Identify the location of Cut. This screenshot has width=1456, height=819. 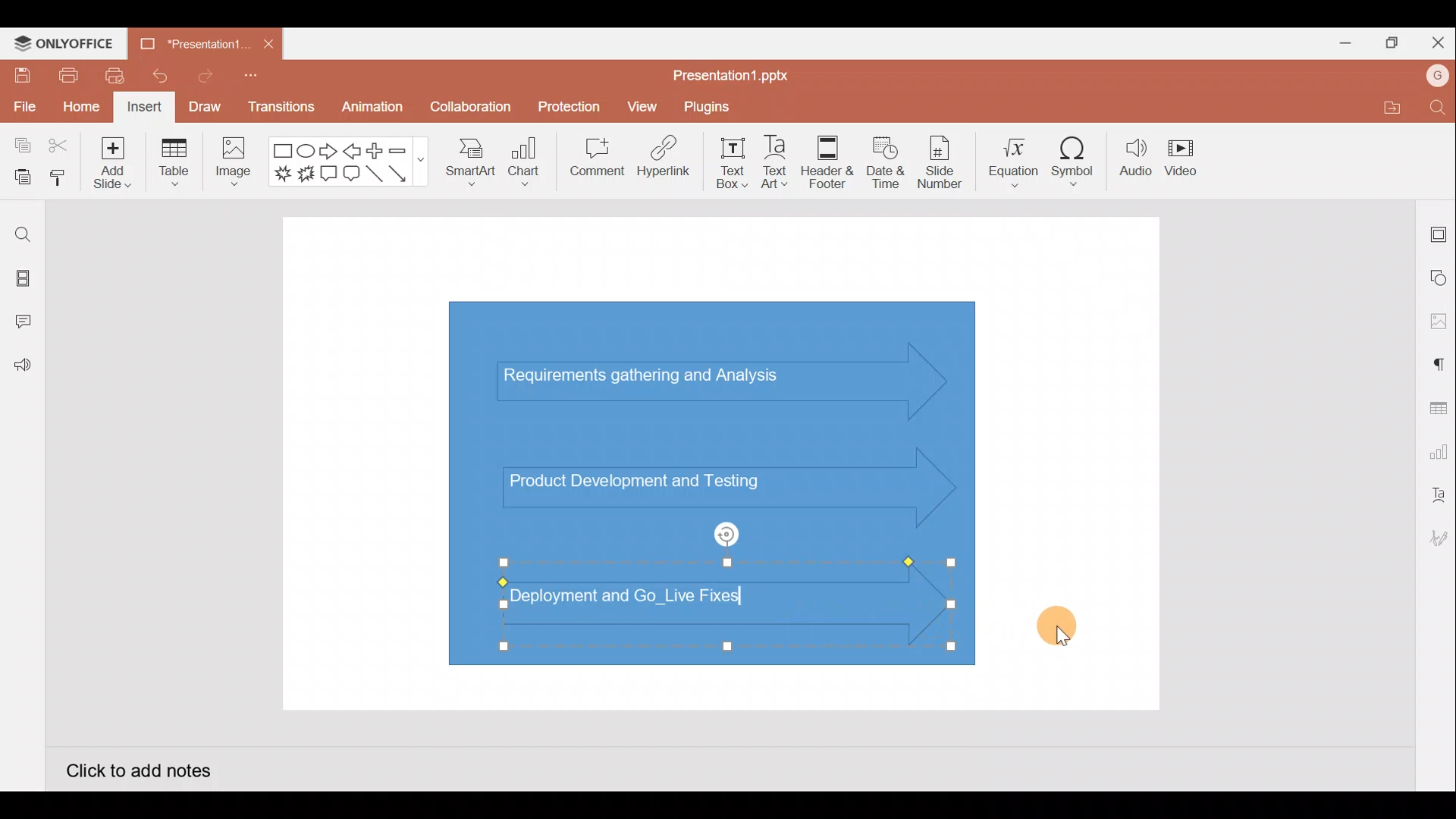
(59, 146).